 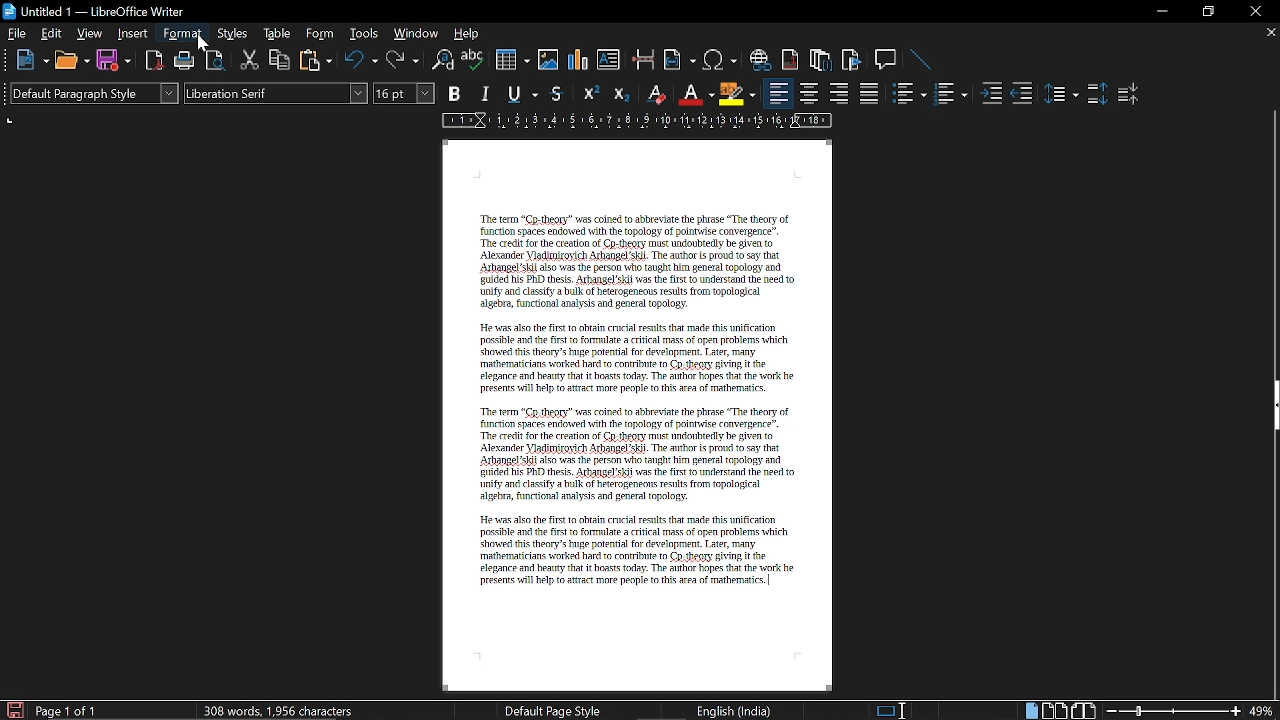 What do you see at coordinates (1055, 709) in the screenshot?
I see `Multiple page` at bounding box center [1055, 709].